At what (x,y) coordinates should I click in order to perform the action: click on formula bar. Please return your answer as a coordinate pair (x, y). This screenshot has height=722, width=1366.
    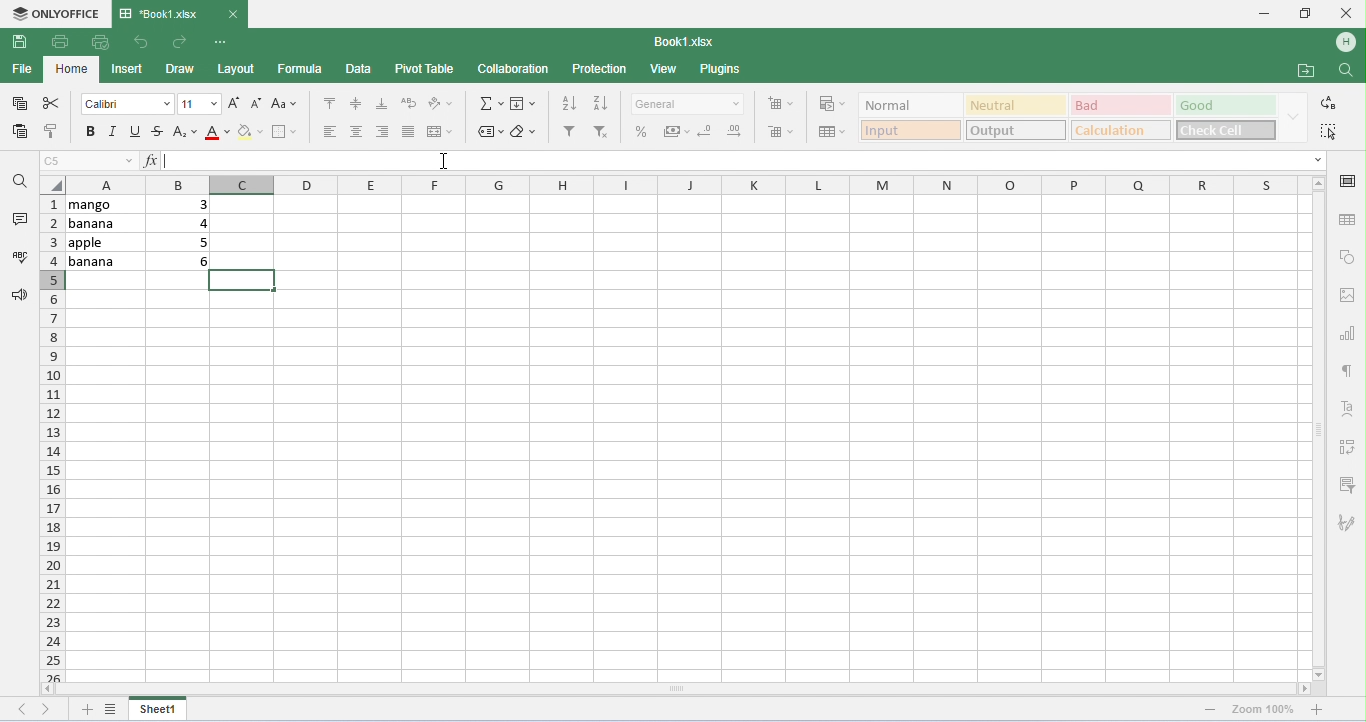
    Looking at the image, I should click on (731, 161).